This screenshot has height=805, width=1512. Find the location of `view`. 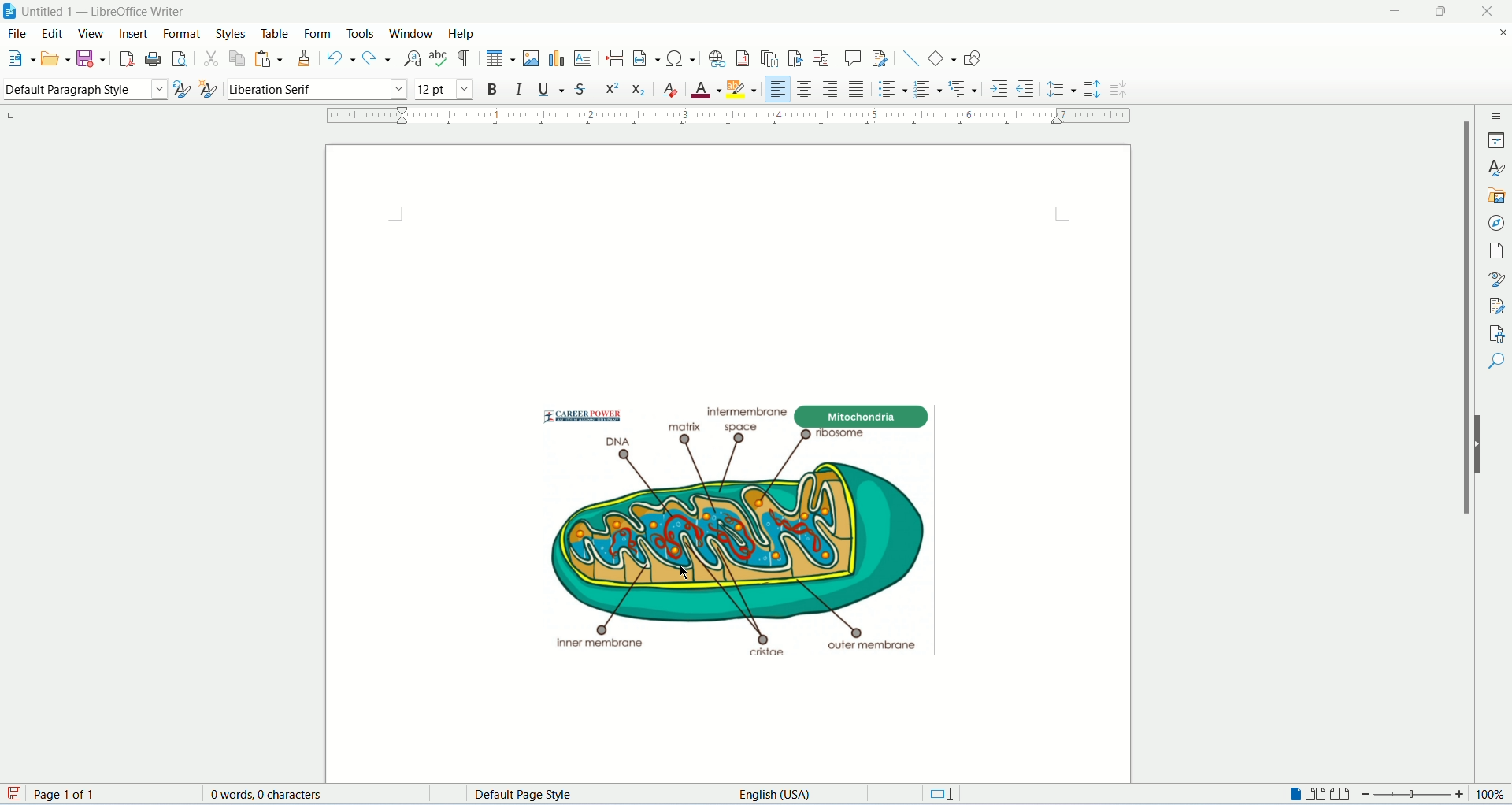

view is located at coordinates (91, 35).